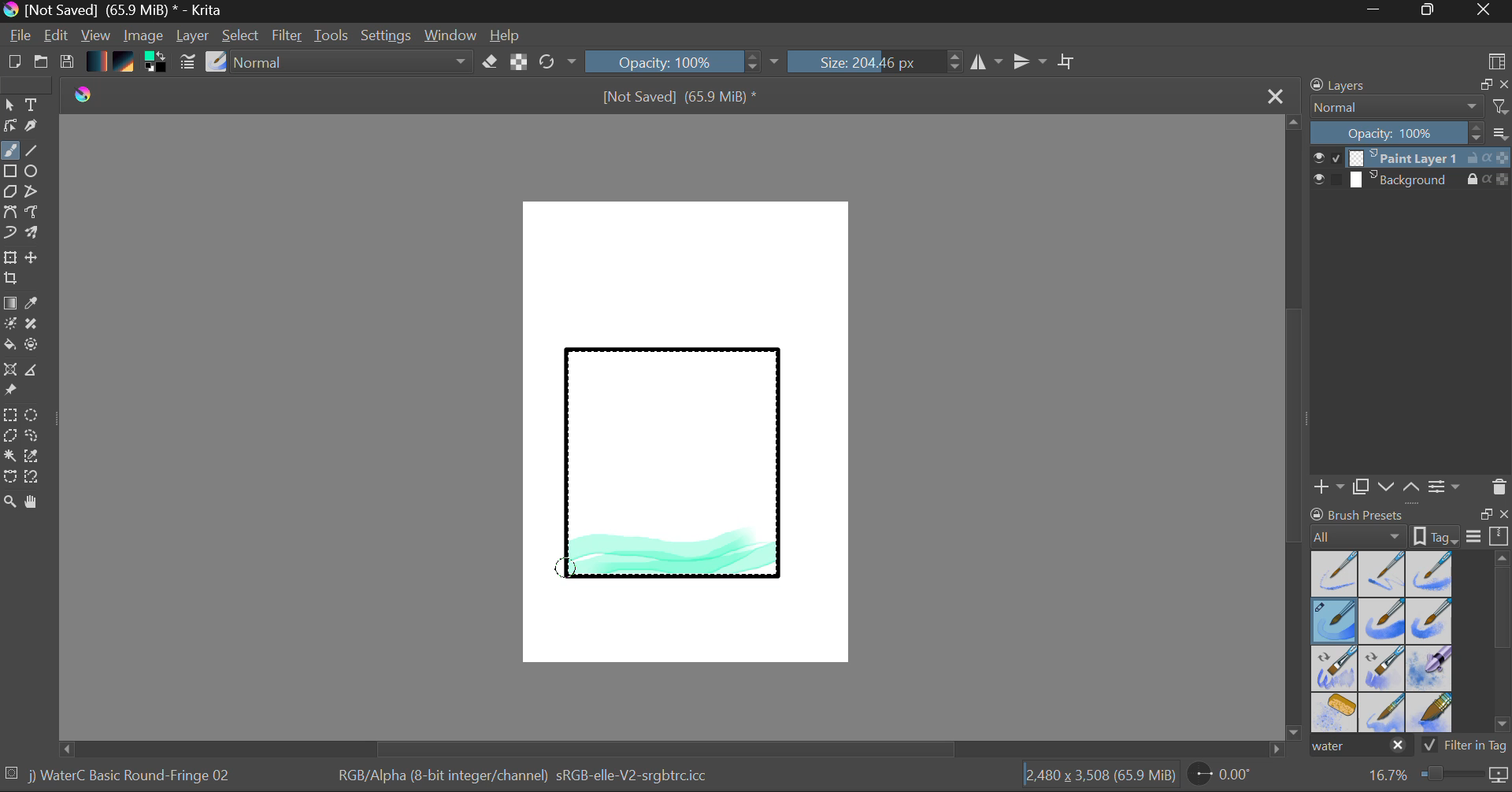  Describe the element at coordinates (1384, 712) in the screenshot. I see `Water C - Spread` at that location.